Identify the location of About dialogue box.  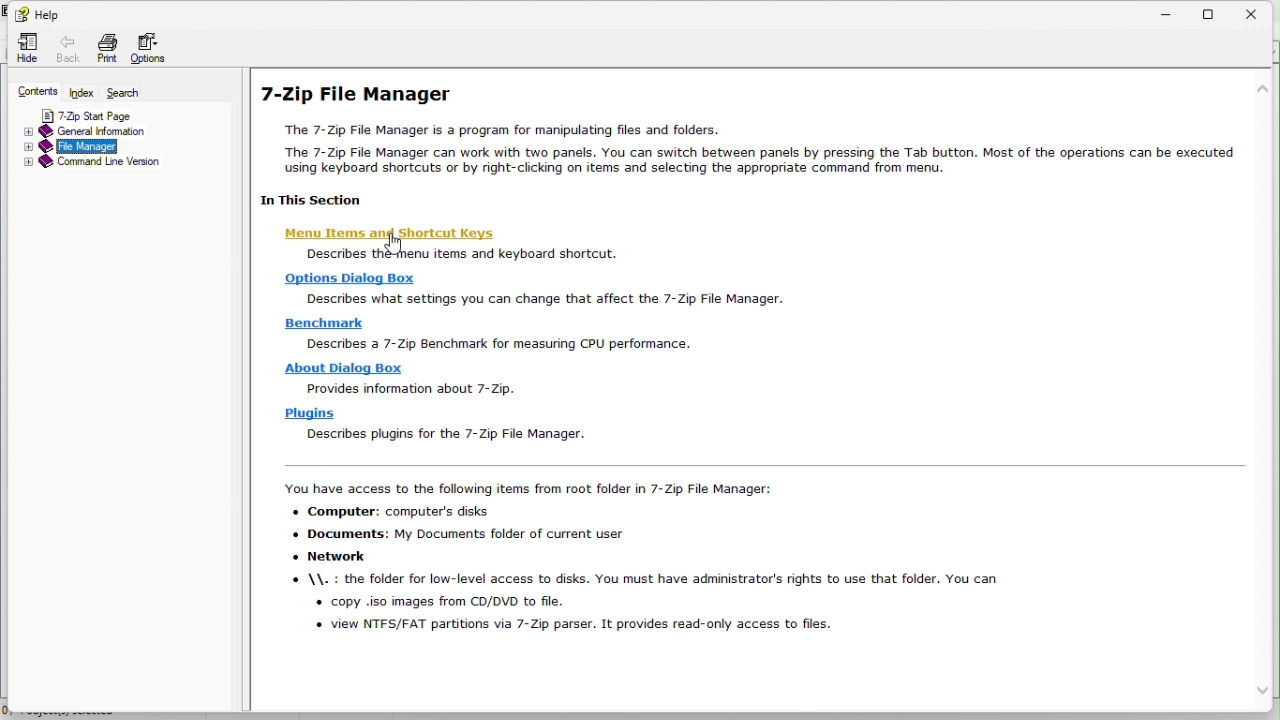
(343, 368).